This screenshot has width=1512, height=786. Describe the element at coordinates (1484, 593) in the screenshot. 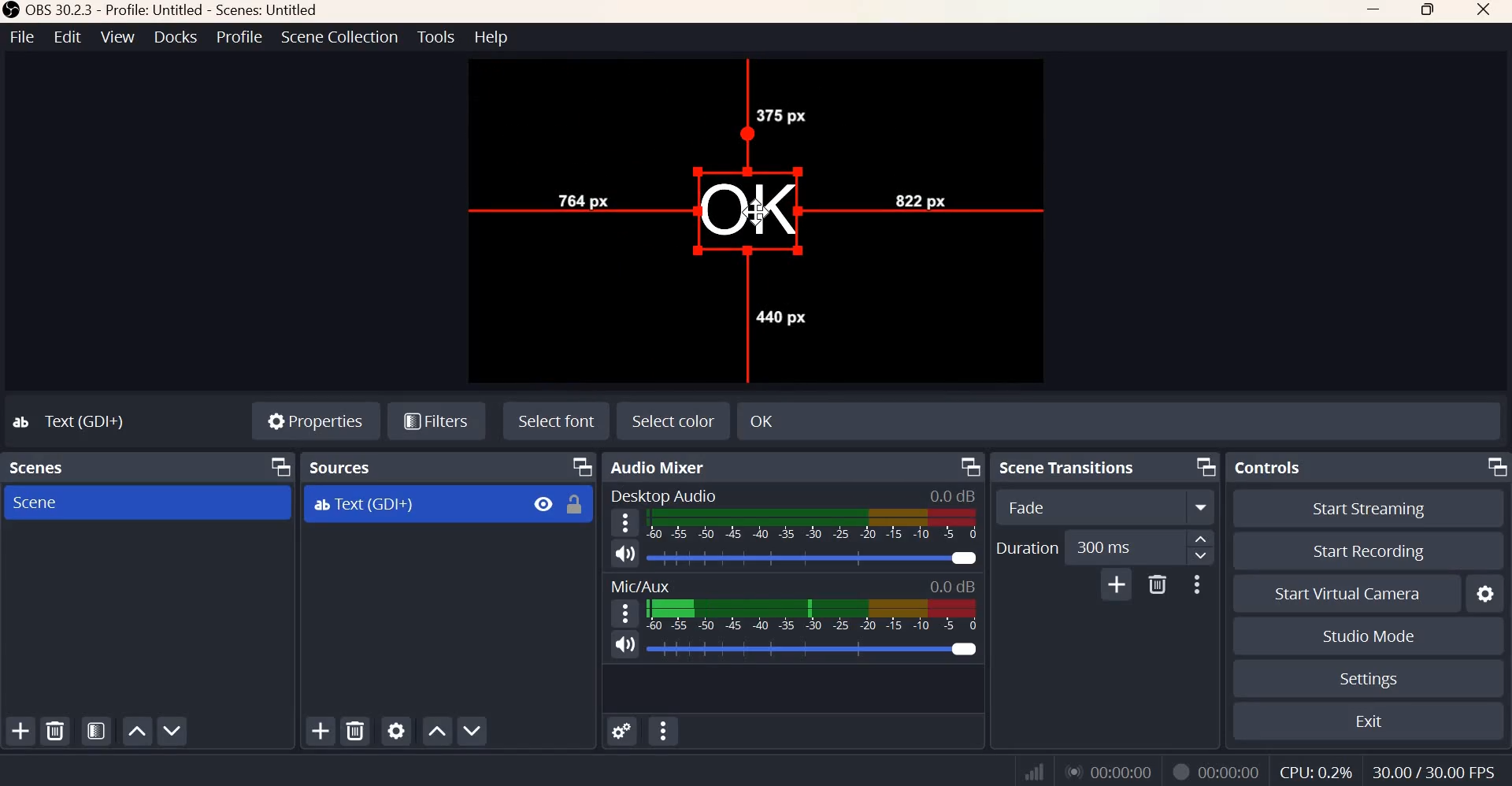

I see `configure virtual camera` at that location.